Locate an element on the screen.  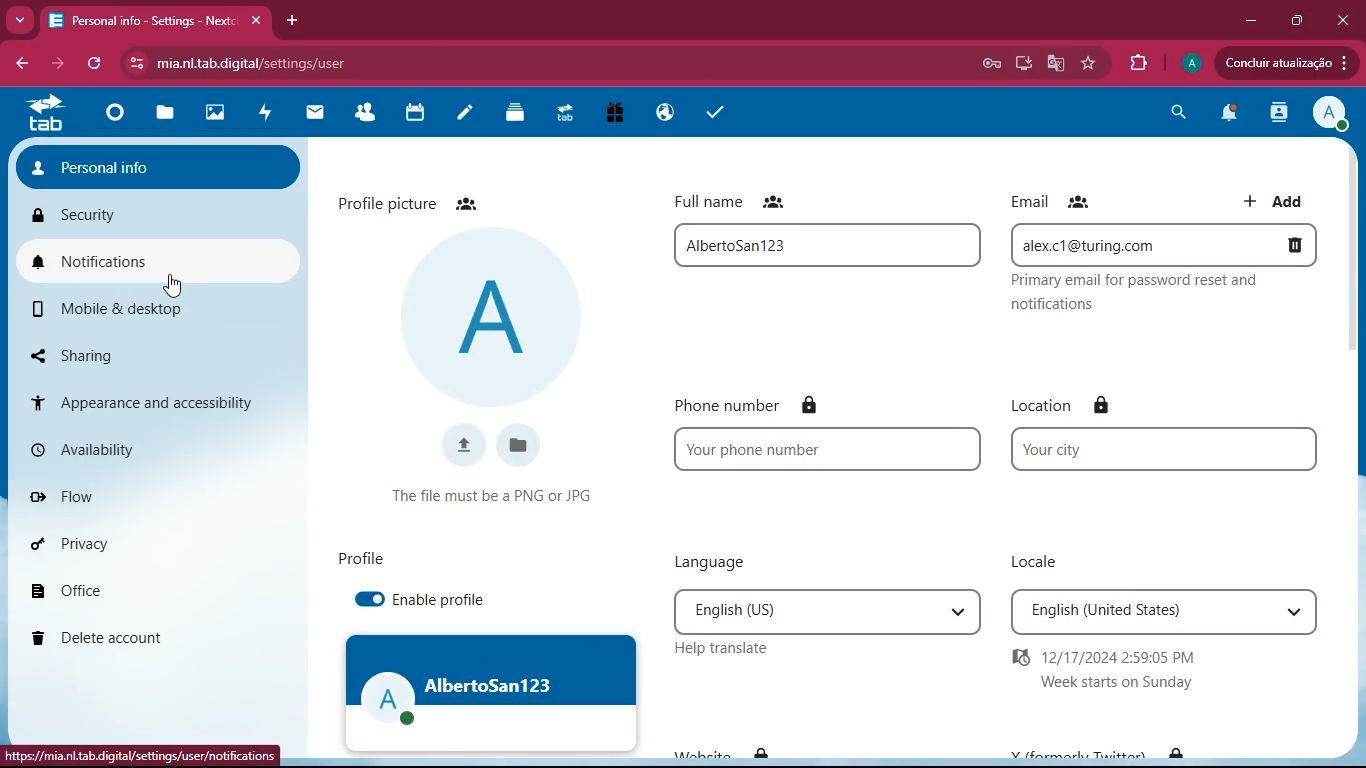
alex.c1@turing.com is located at coordinates (1164, 245).